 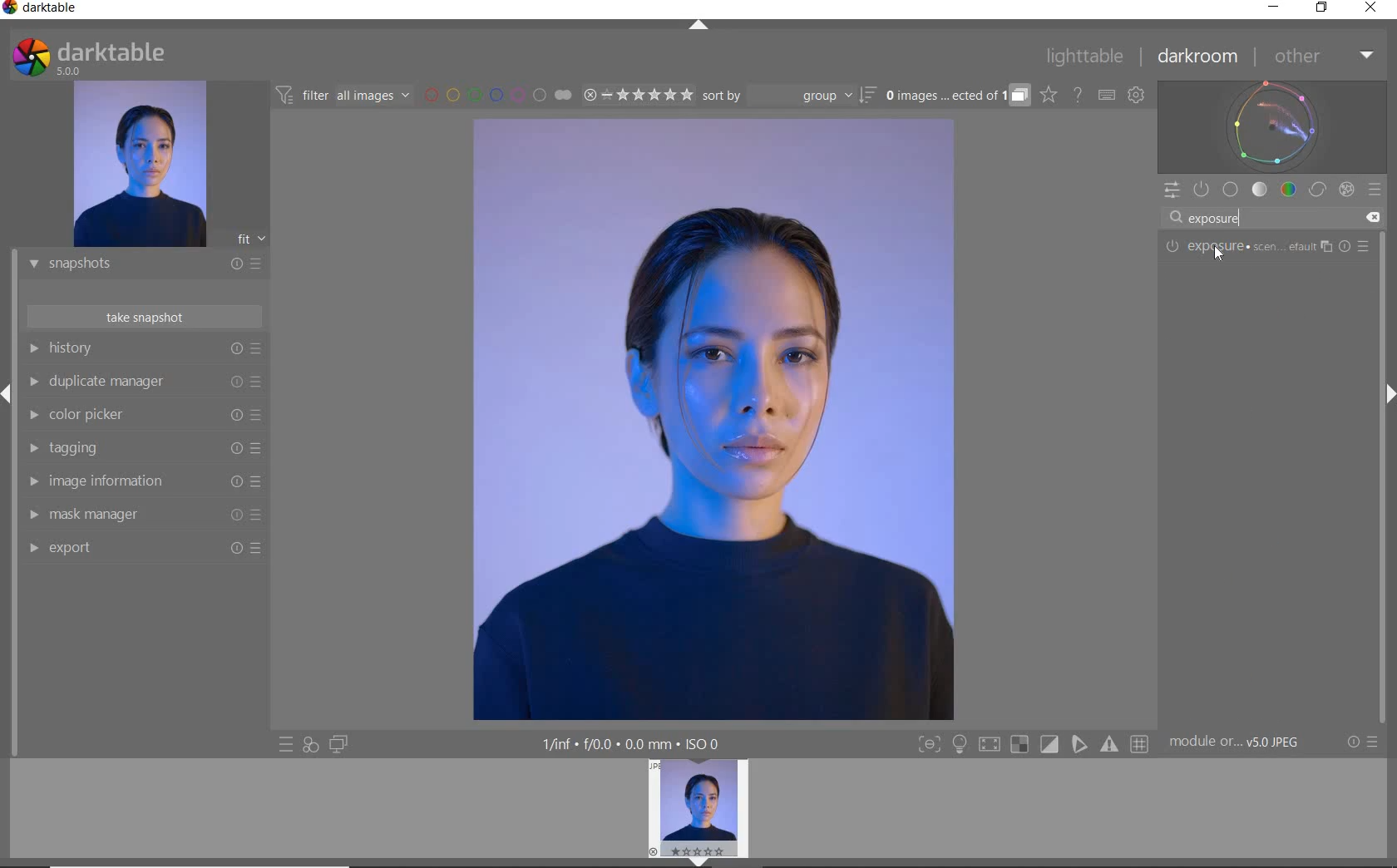 I want to click on SHOW ONLY ACTIVE MODULES, so click(x=1202, y=190).